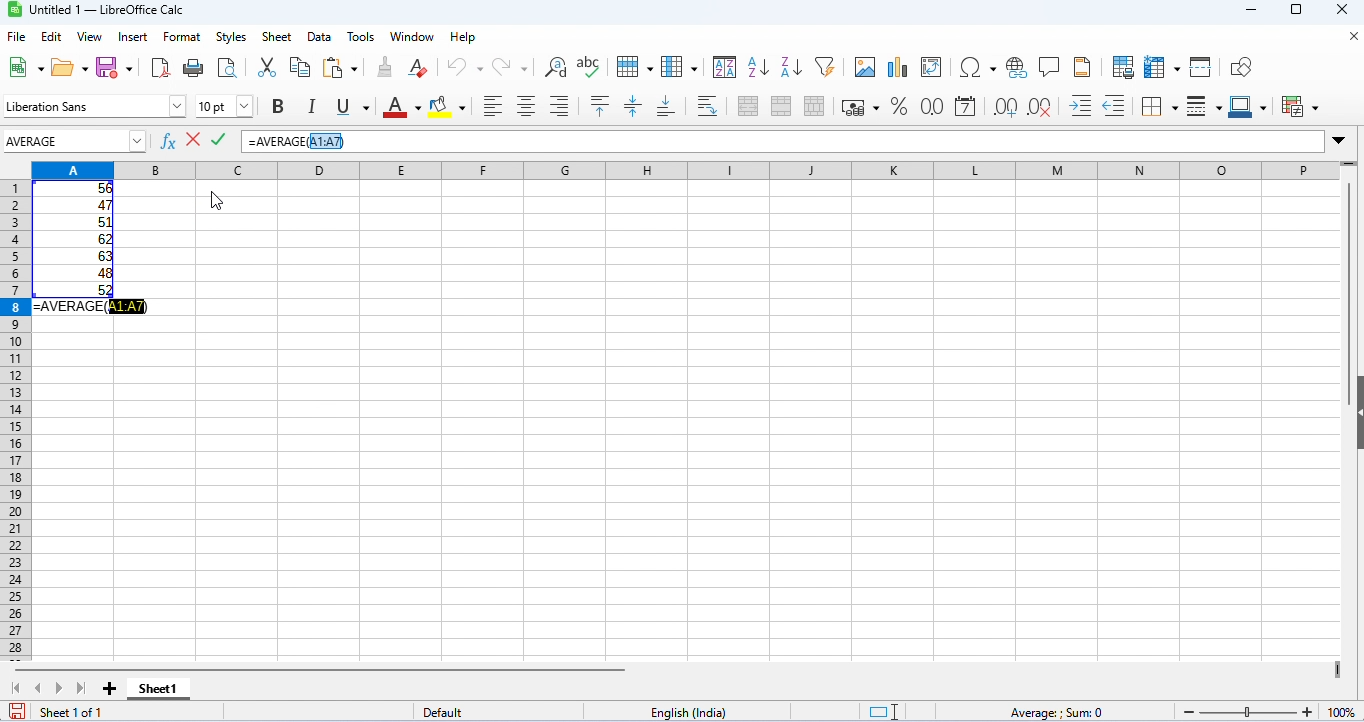 Image resolution: width=1364 pixels, height=722 pixels. What do you see at coordinates (228, 67) in the screenshot?
I see `toggle print preview` at bounding box center [228, 67].